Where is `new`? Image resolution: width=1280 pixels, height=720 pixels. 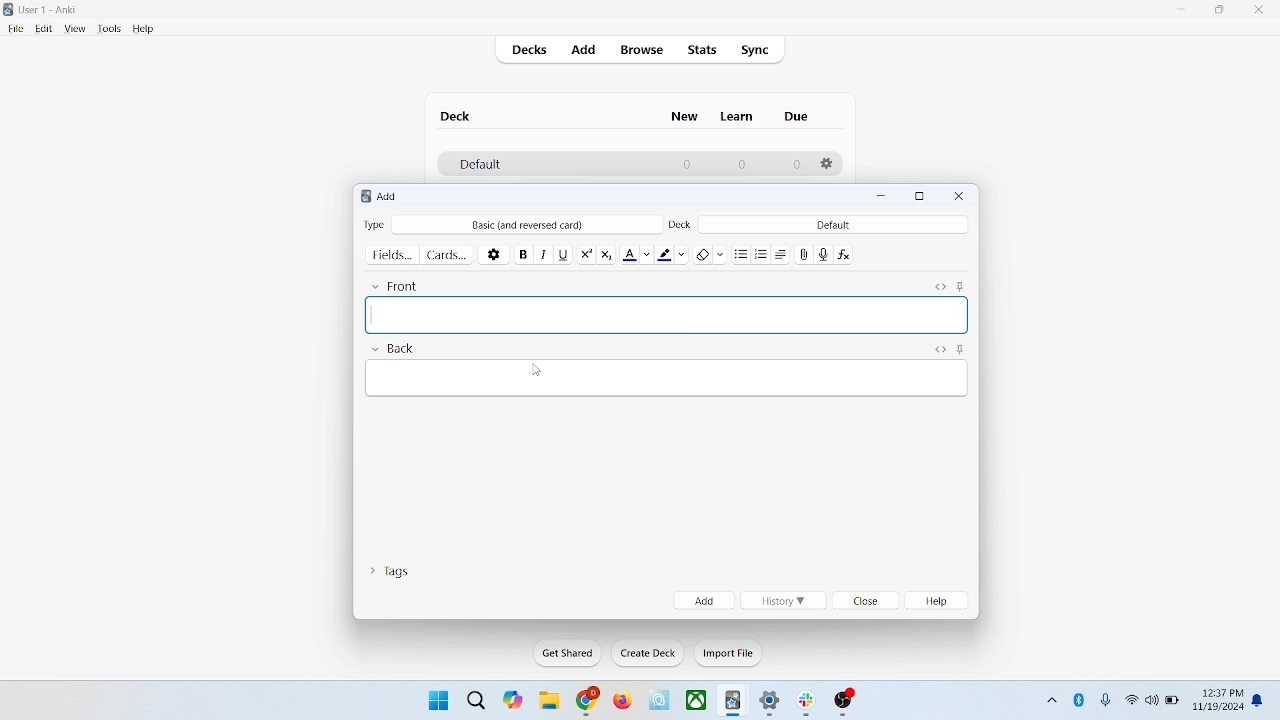
new is located at coordinates (685, 116).